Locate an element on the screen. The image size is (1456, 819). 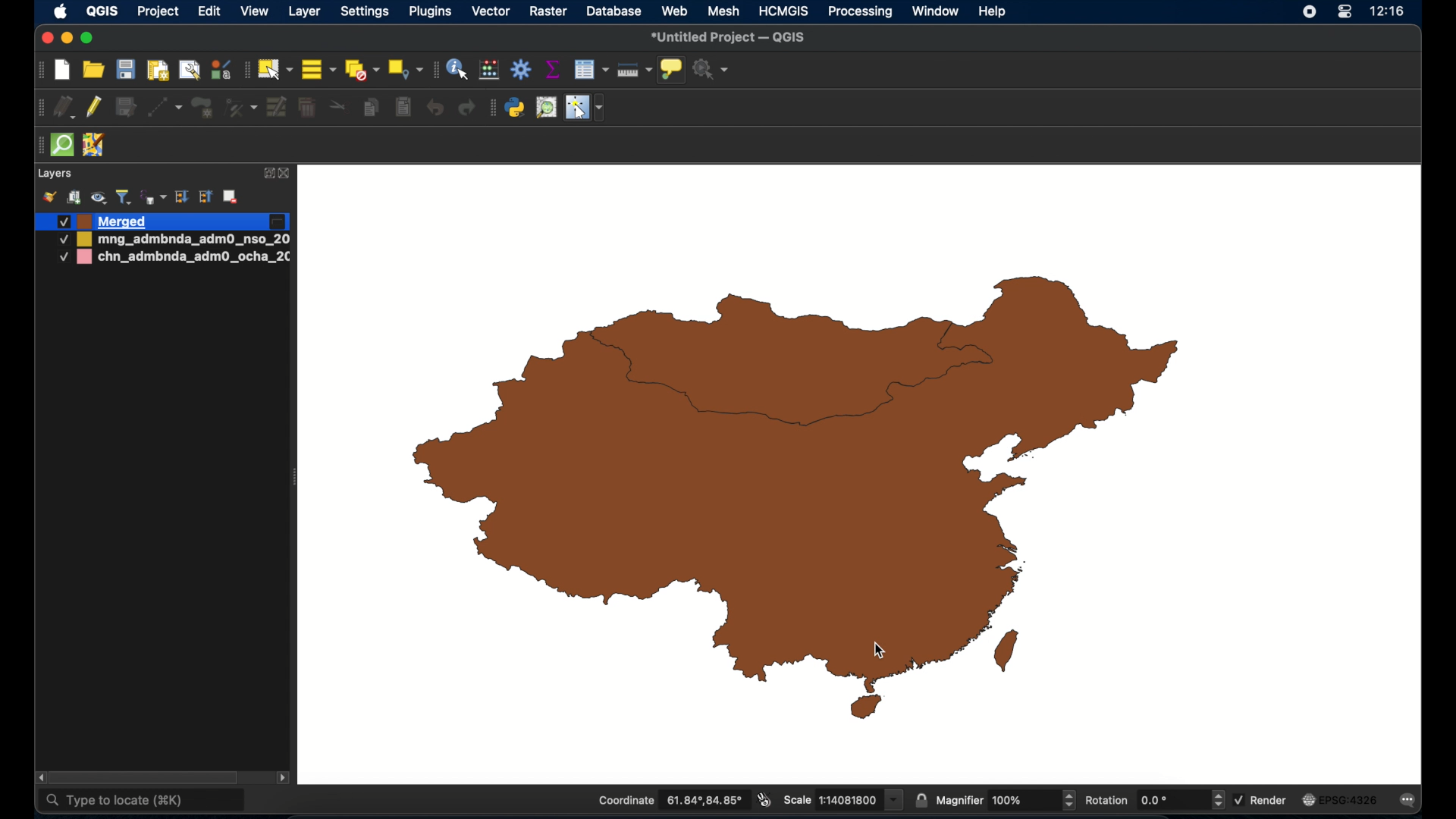
plugins is located at coordinates (433, 11).